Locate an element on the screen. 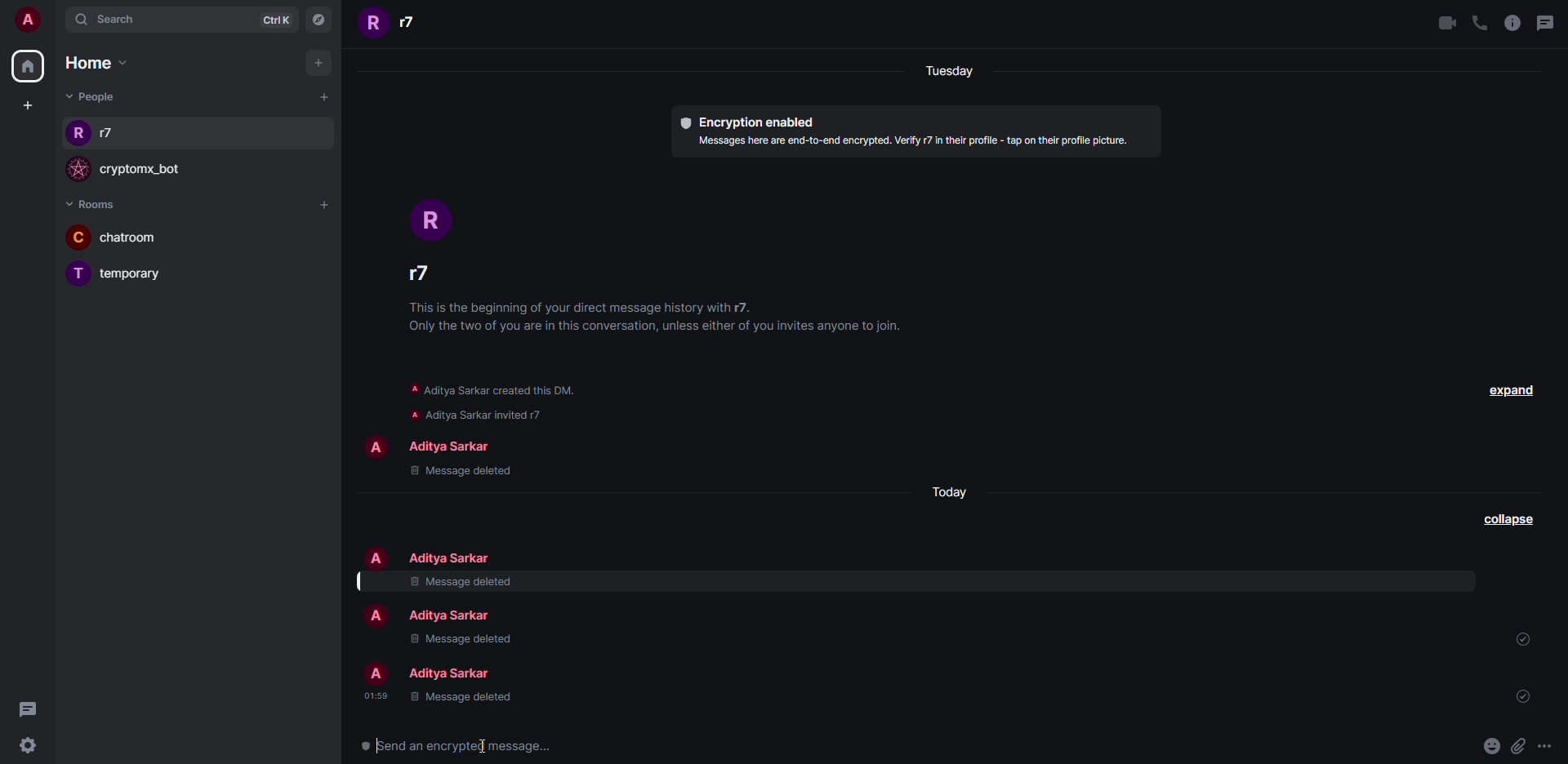 The image size is (1568, 764). people is located at coordinates (413, 25).